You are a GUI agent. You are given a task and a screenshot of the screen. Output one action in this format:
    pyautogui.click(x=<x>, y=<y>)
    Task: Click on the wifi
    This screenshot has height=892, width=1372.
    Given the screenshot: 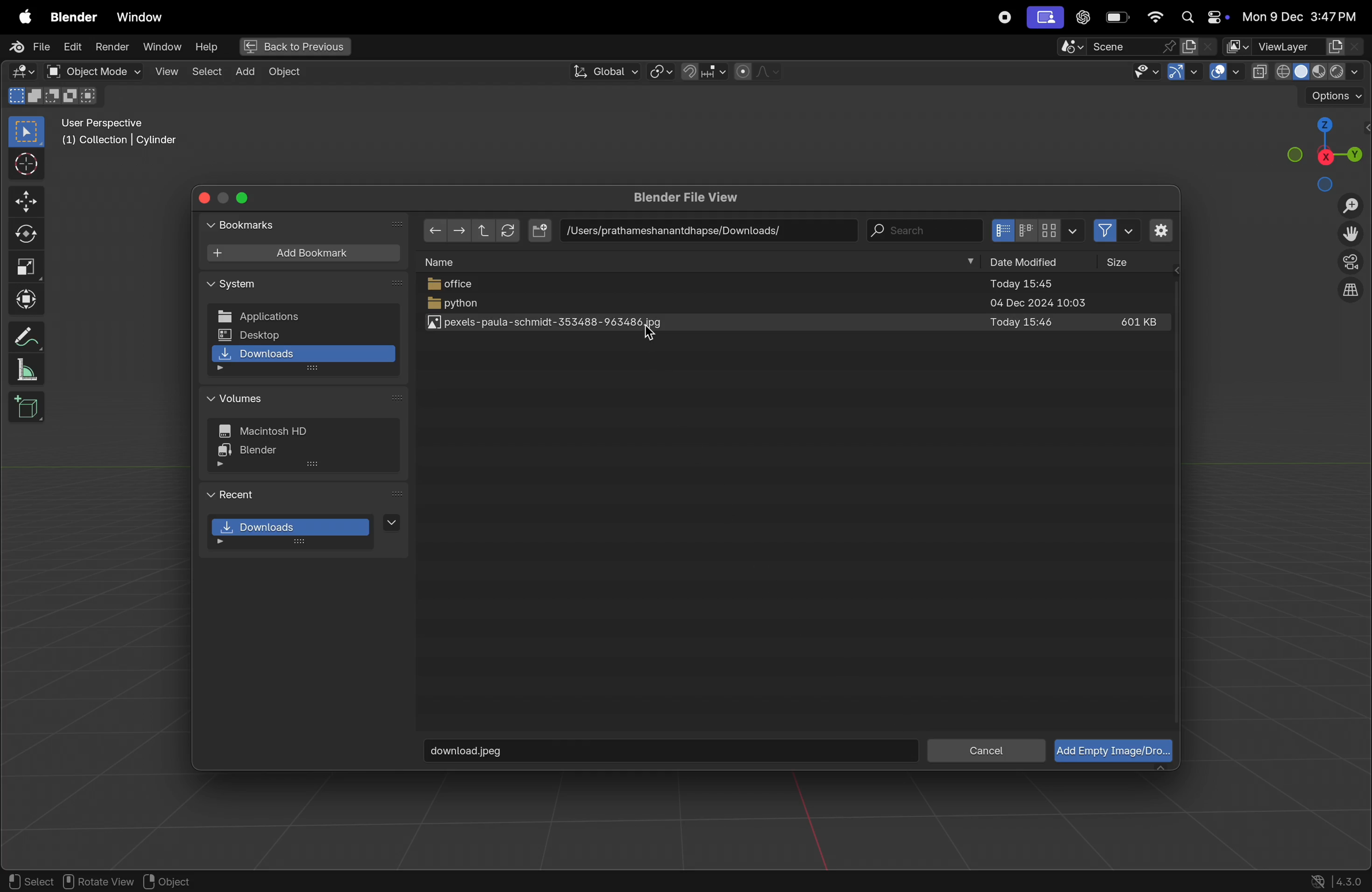 What is the action you would take?
    pyautogui.click(x=1155, y=17)
    